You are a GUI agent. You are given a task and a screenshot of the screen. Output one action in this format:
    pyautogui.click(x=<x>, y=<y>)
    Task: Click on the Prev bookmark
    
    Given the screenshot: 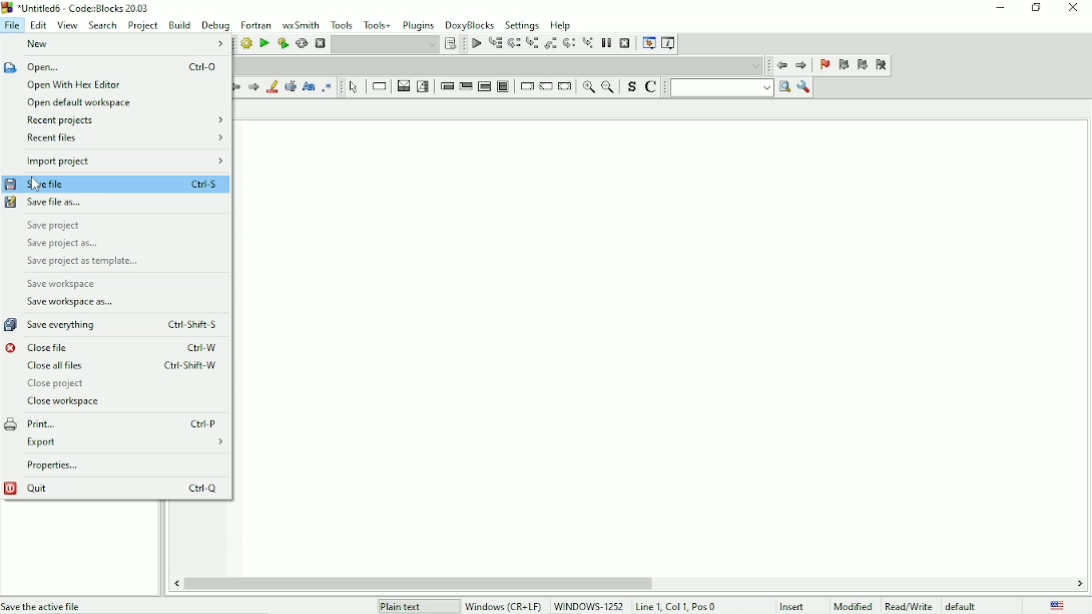 What is the action you would take?
    pyautogui.click(x=843, y=65)
    